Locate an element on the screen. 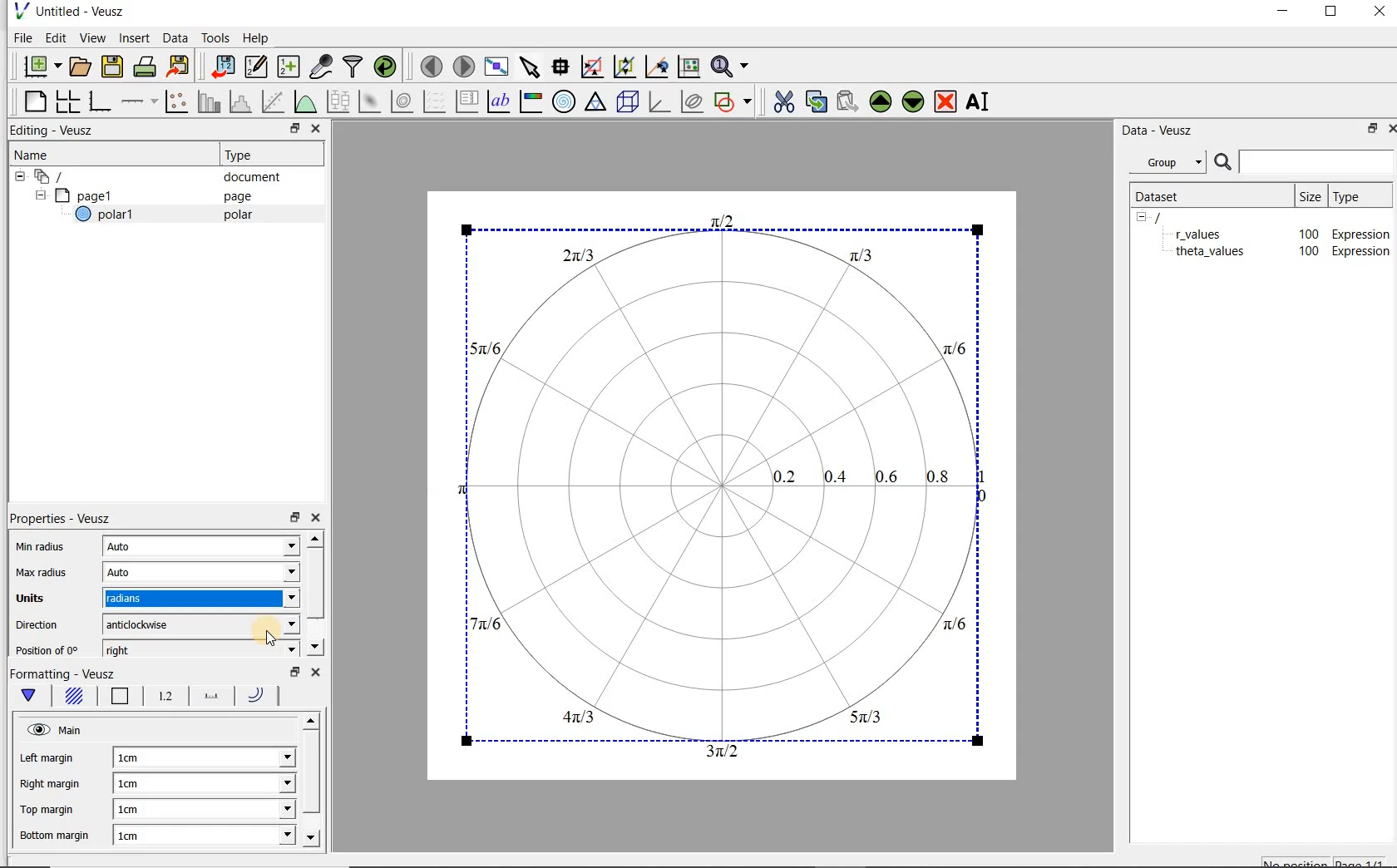 This screenshot has width=1397, height=868. plot a function is located at coordinates (304, 101).